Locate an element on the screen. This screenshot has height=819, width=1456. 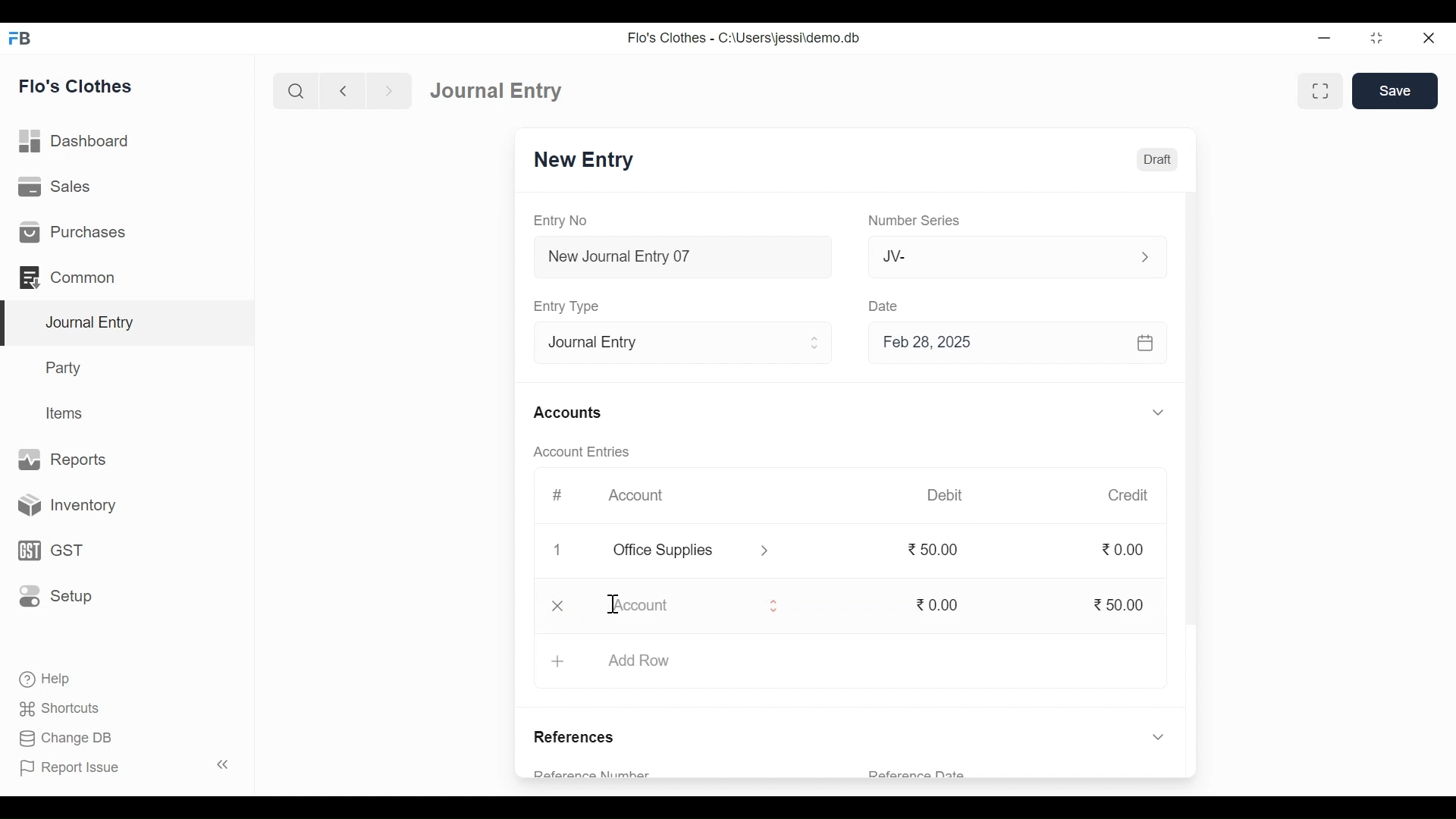
New Journal Entry 07 is located at coordinates (684, 259).